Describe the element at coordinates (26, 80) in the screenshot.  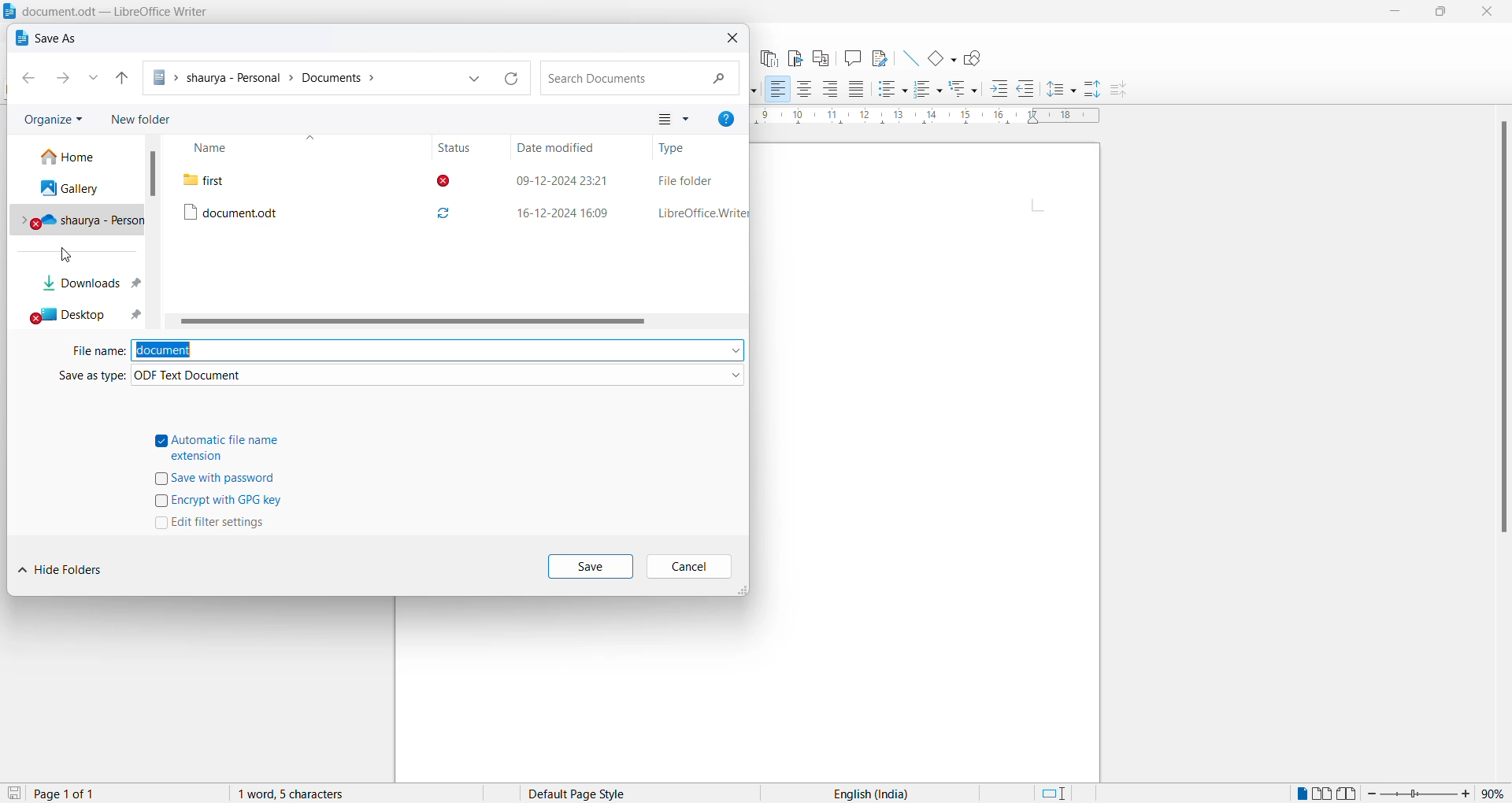
I see `Go back` at that location.